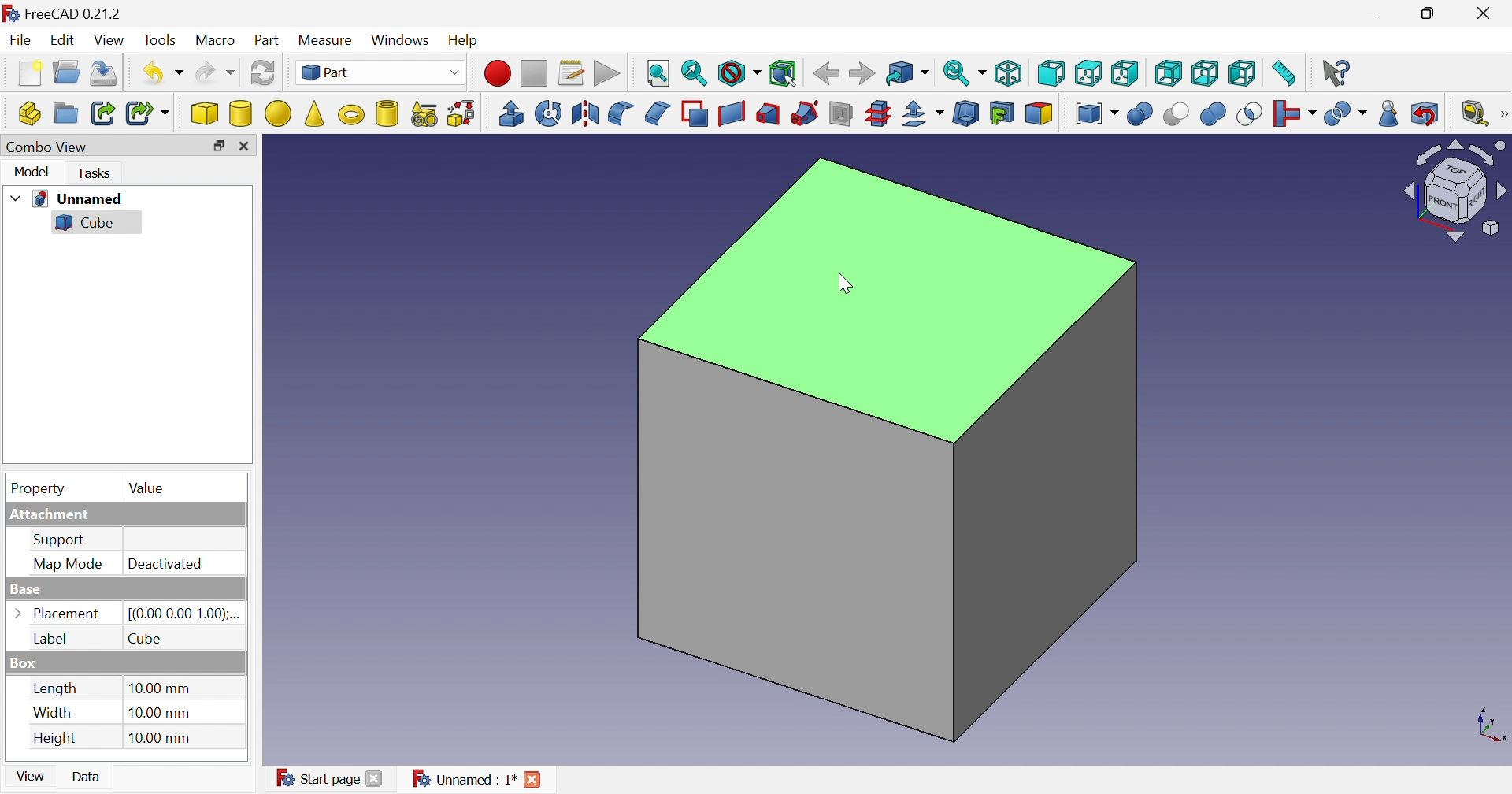 This screenshot has height=794, width=1512. Describe the element at coordinates (1373, 13) in the screenshot. I see `Minimize` at that location.